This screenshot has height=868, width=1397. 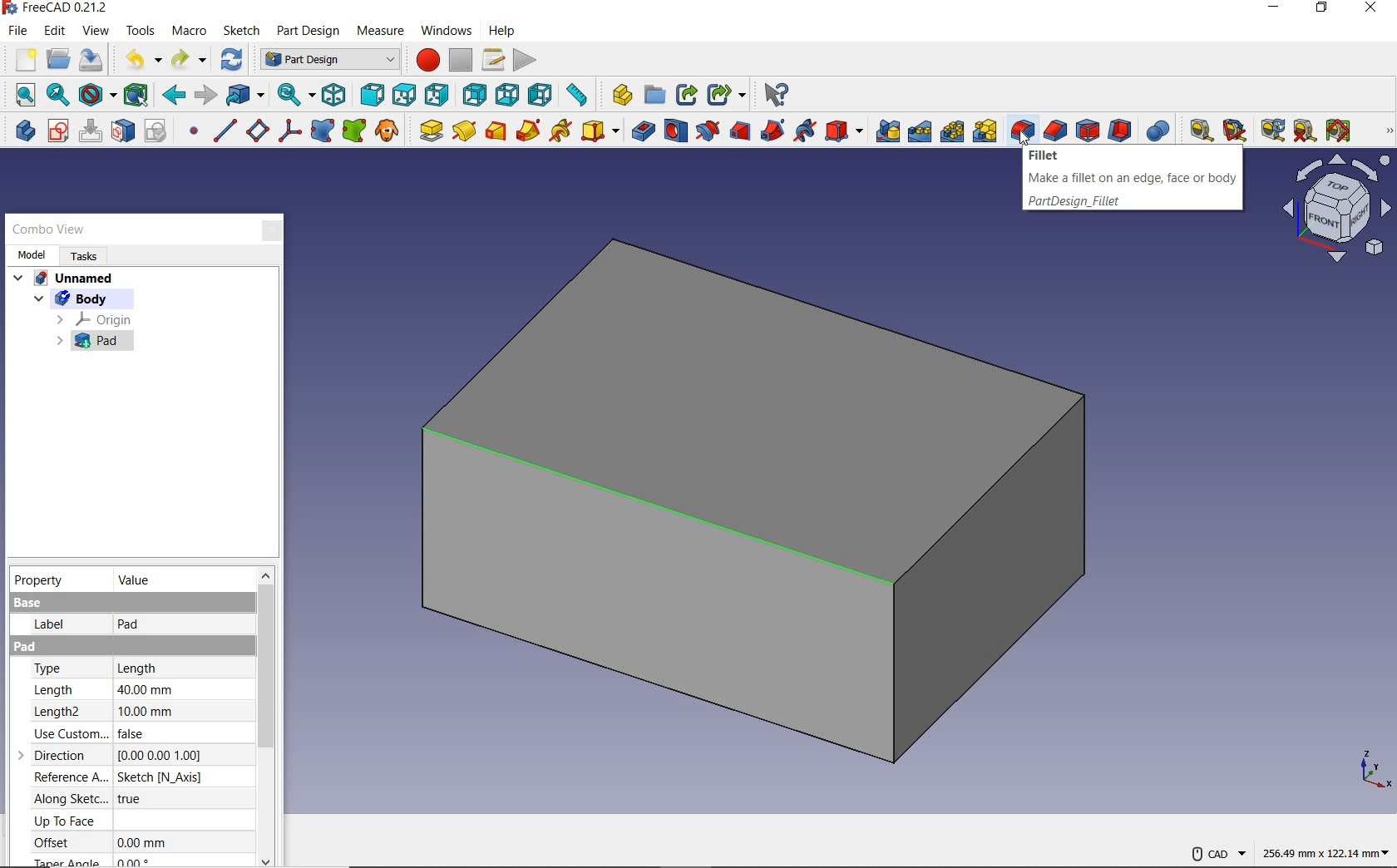 What do you see at coordinates (707, 131) in the screenshot?
I see `groove` at bounding box center [707, 131].